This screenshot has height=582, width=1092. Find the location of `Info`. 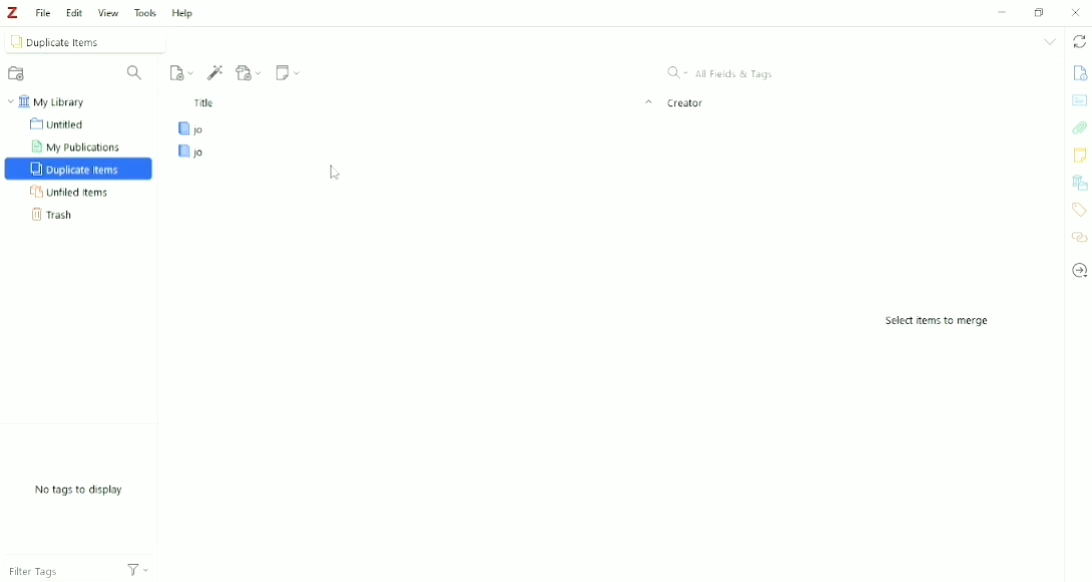

Info is located at coordinates (1079, 71).